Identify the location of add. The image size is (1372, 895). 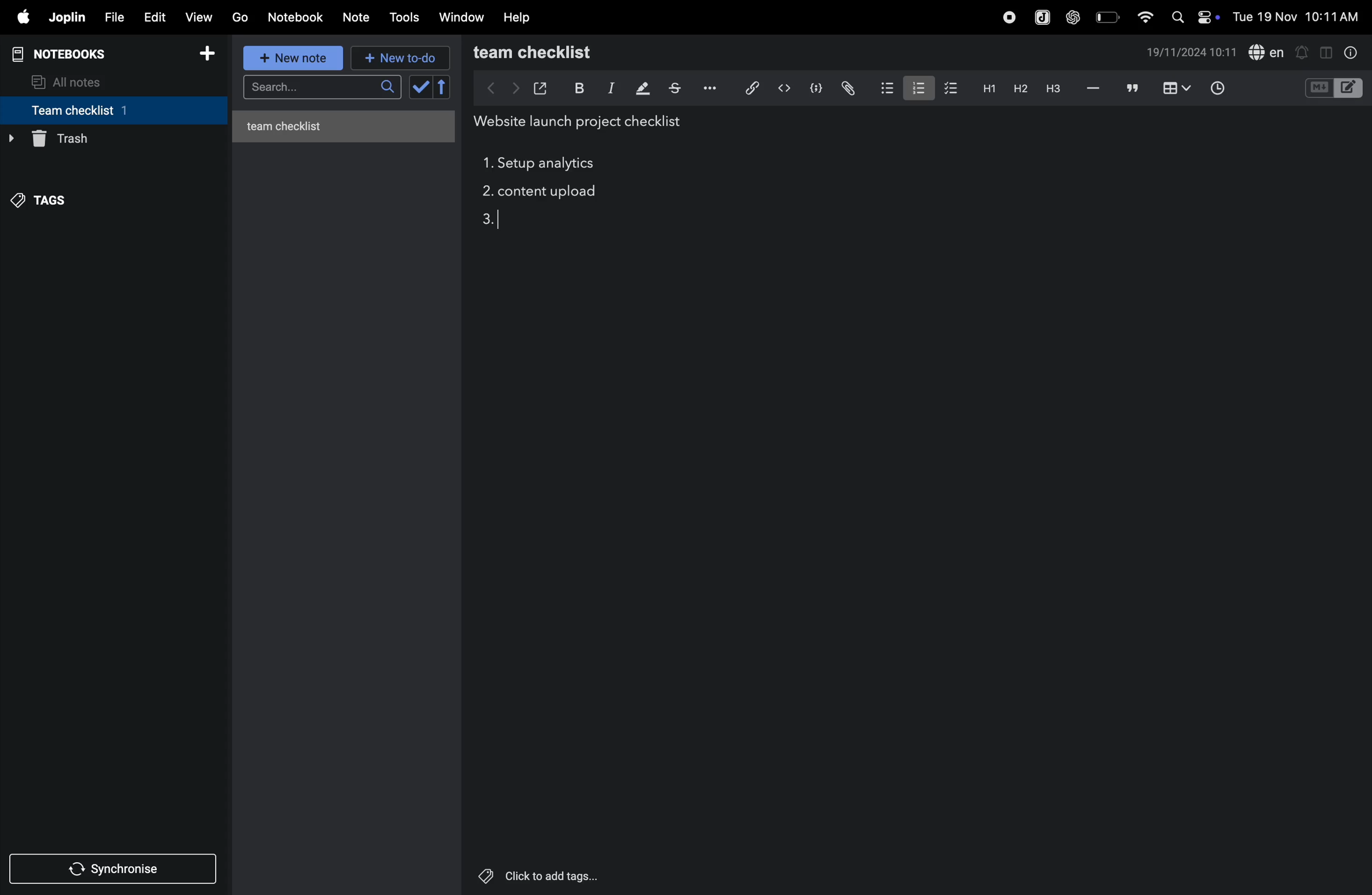
(212, 54).